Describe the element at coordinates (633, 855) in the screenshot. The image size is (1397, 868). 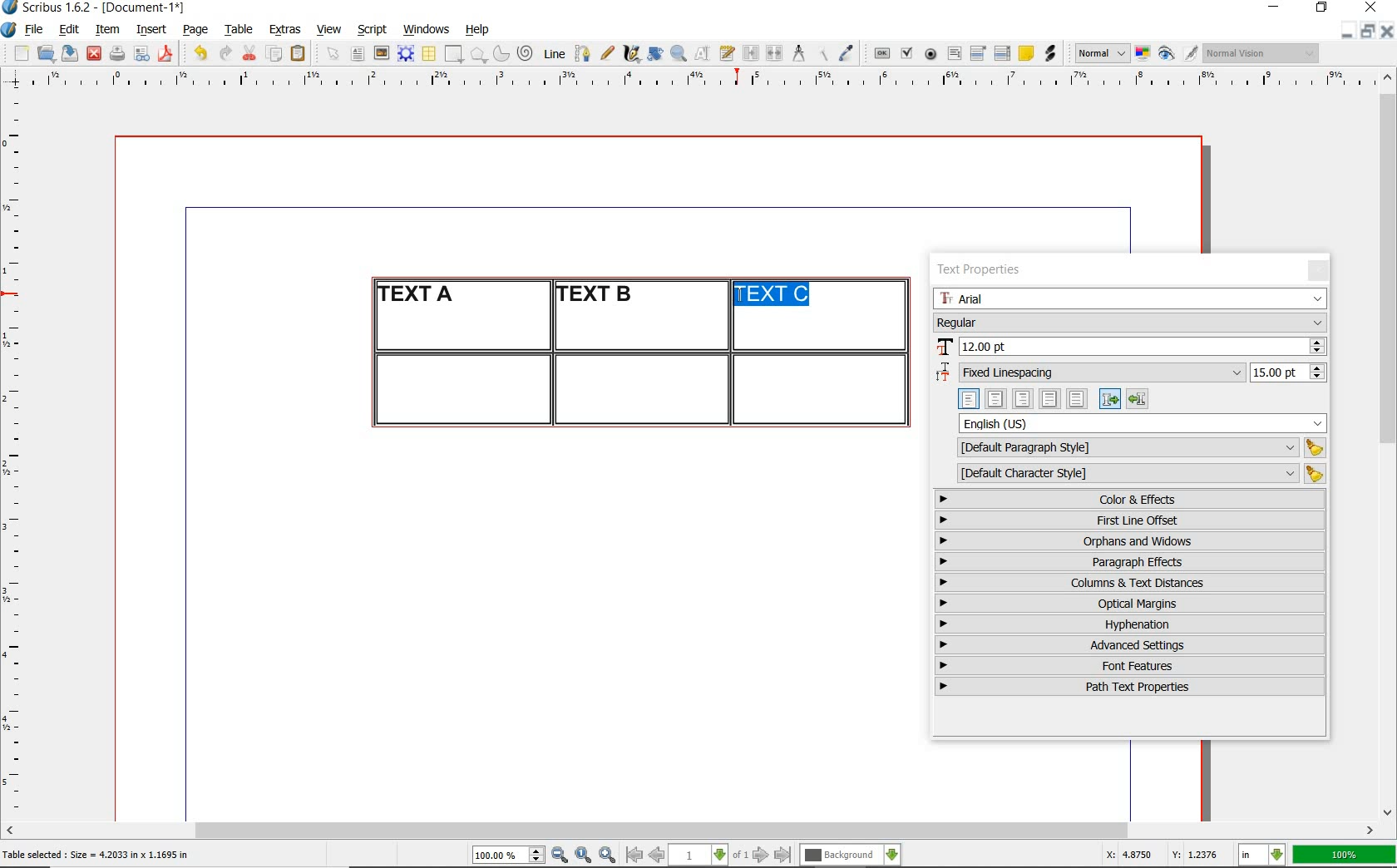
I see `go to first page` at that location.